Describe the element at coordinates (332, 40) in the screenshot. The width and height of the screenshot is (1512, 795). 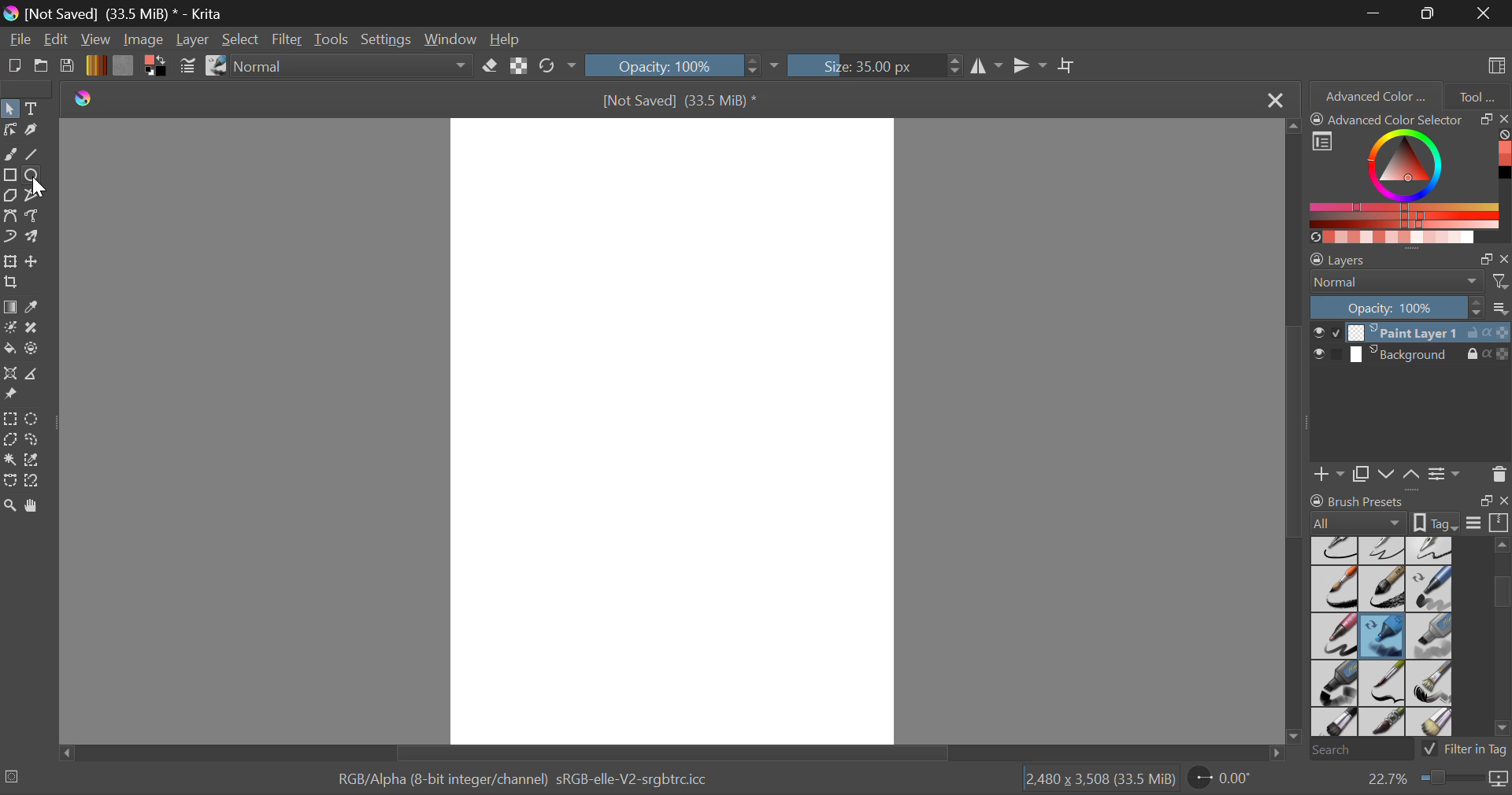
I see `Tools` at that location.